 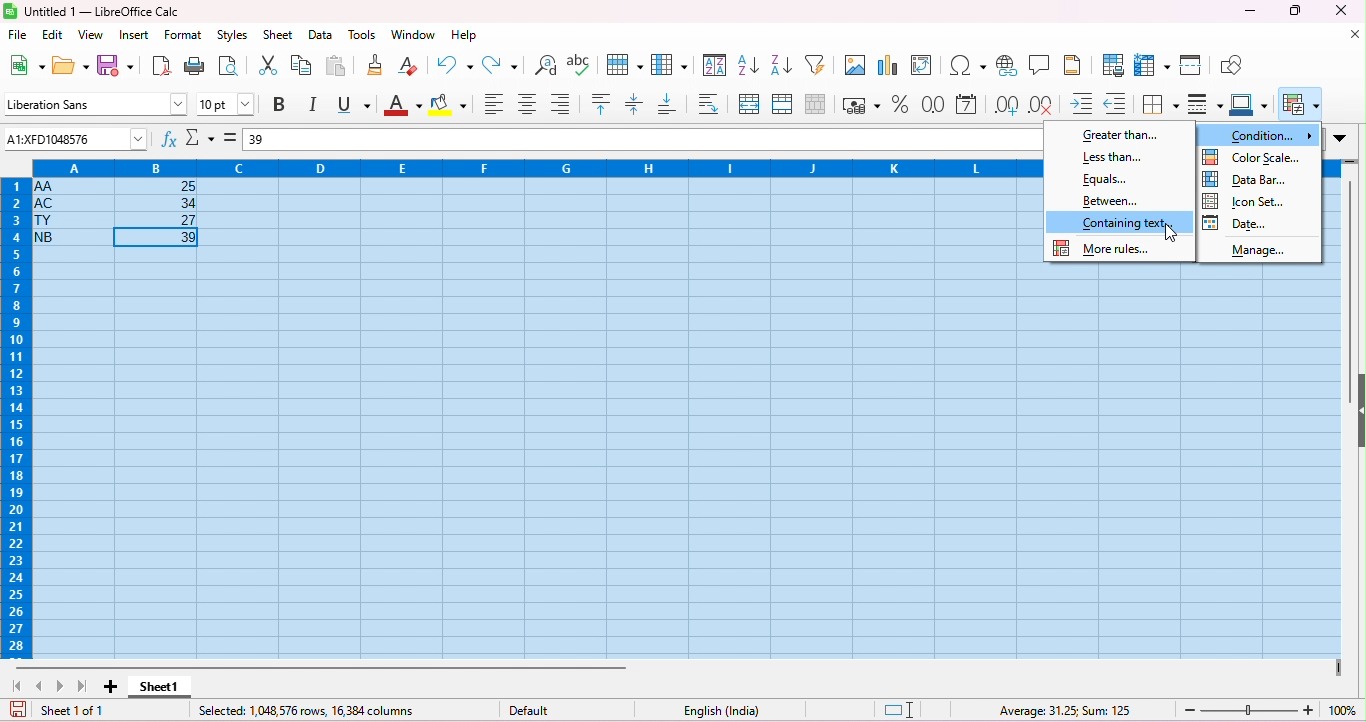 What do you see at coordinates (184, 36) in the screenshot?
I see `format` at bounding box center [184, 36].